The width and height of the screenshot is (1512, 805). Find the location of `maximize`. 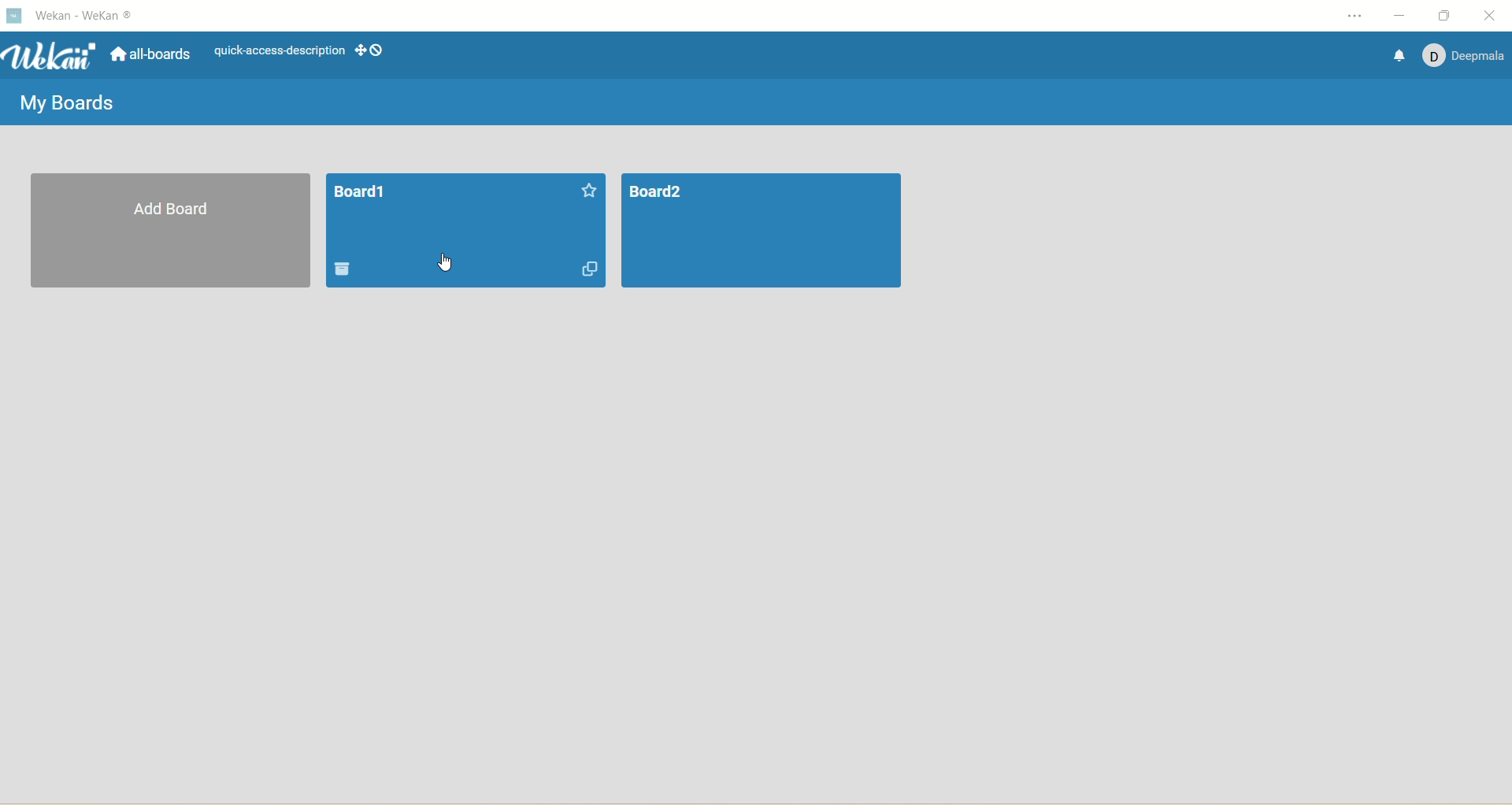

maximize is located at coordinates (1443, 16).